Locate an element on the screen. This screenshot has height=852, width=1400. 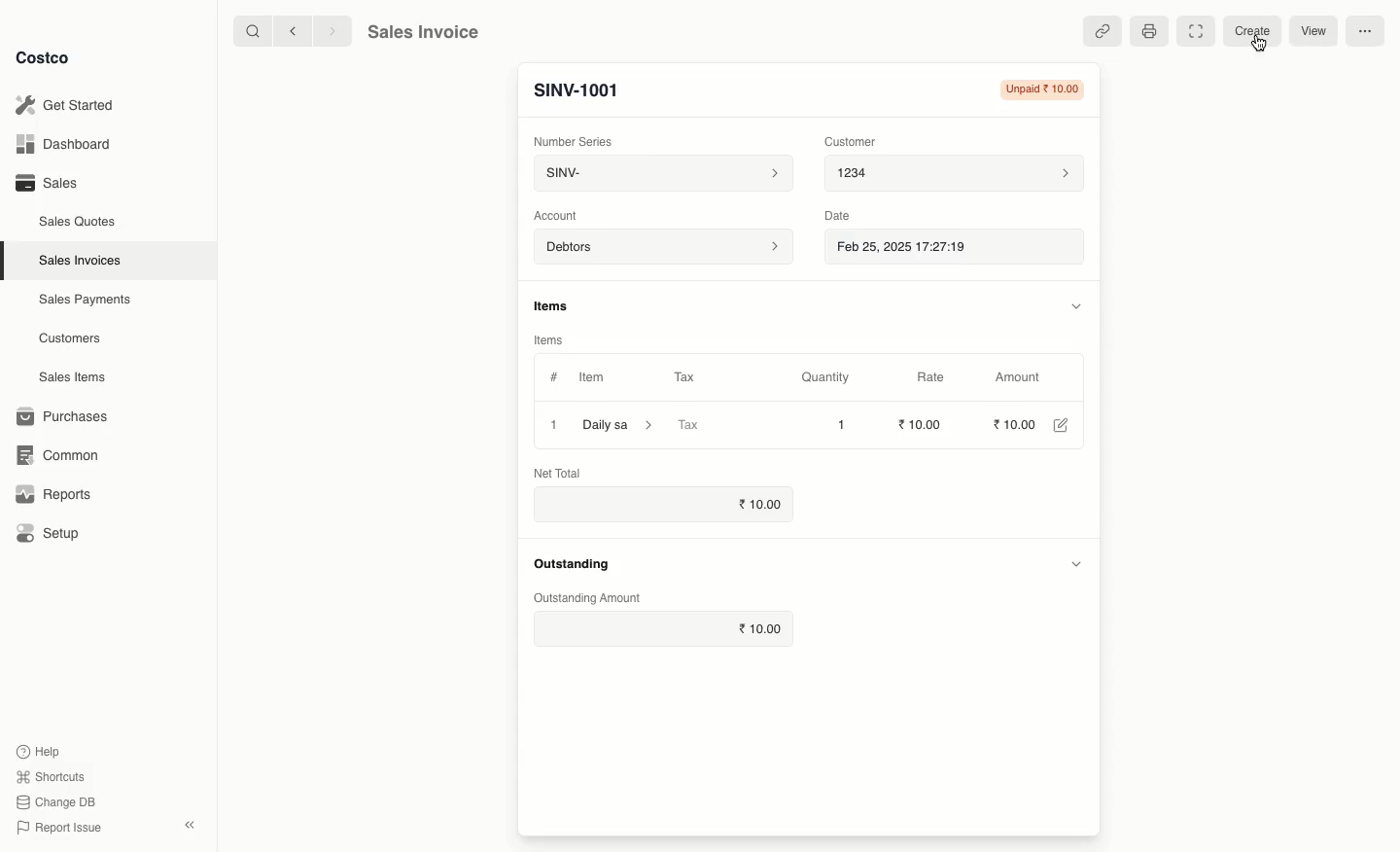
1 is located at coordinates (843, 425).